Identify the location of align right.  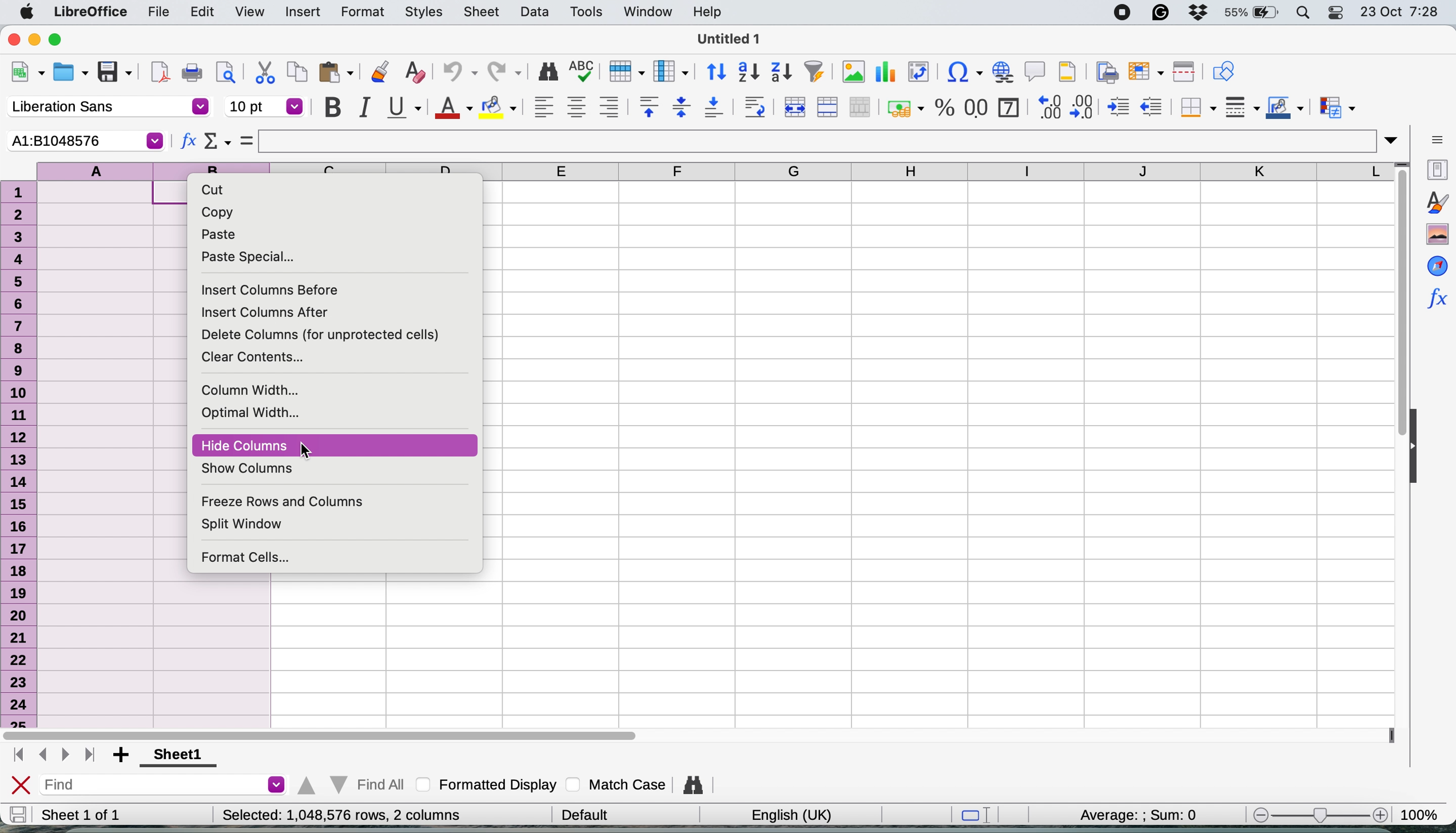
(610, 107).